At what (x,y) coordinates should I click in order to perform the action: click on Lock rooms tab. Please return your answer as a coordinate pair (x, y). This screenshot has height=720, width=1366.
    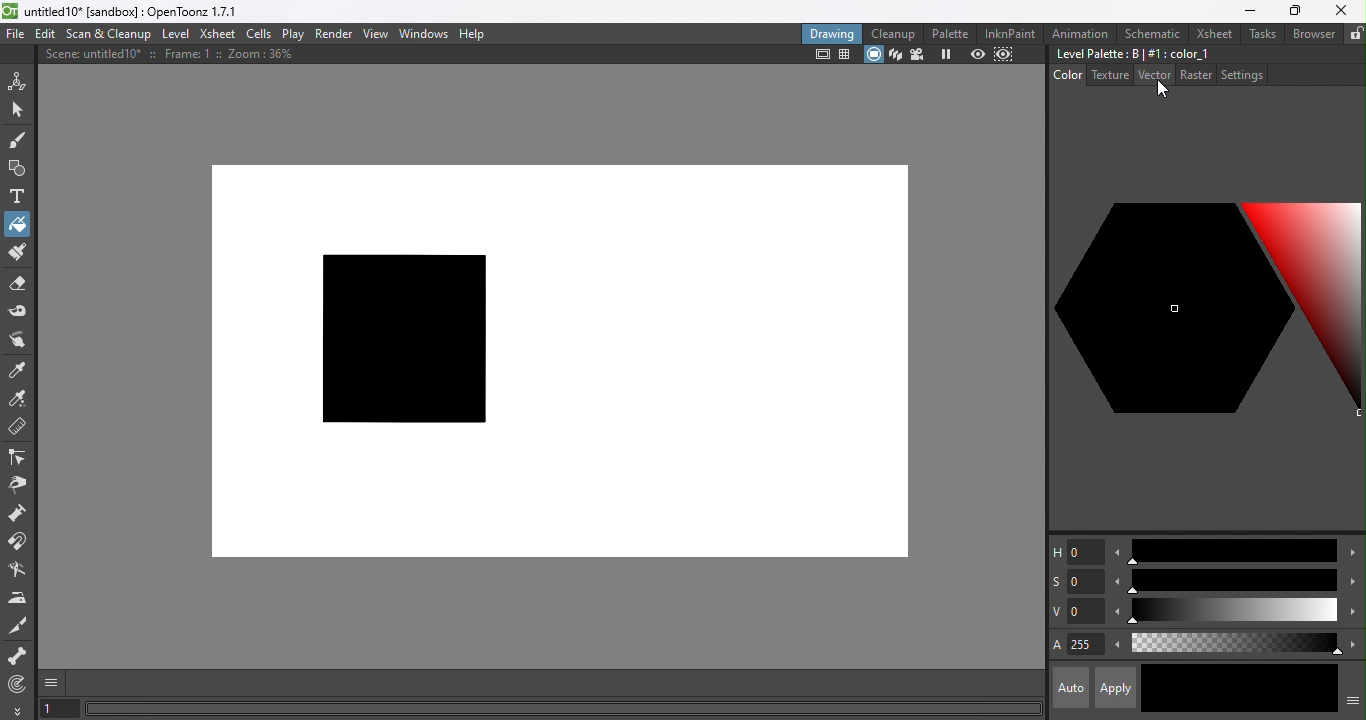
    Looking at the image, I should click on (1356, 33).